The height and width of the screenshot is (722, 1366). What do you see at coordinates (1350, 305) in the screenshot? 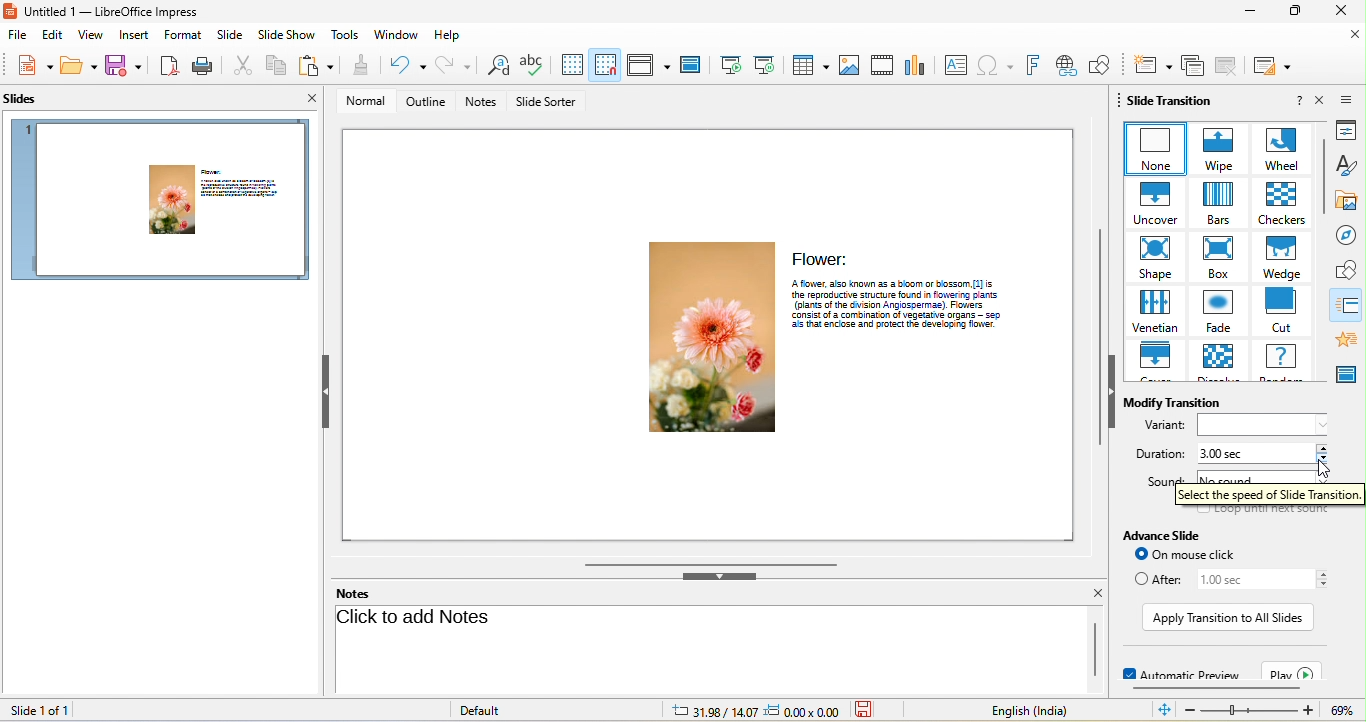
I see `slide transition` at bounding box center [1350, 305].